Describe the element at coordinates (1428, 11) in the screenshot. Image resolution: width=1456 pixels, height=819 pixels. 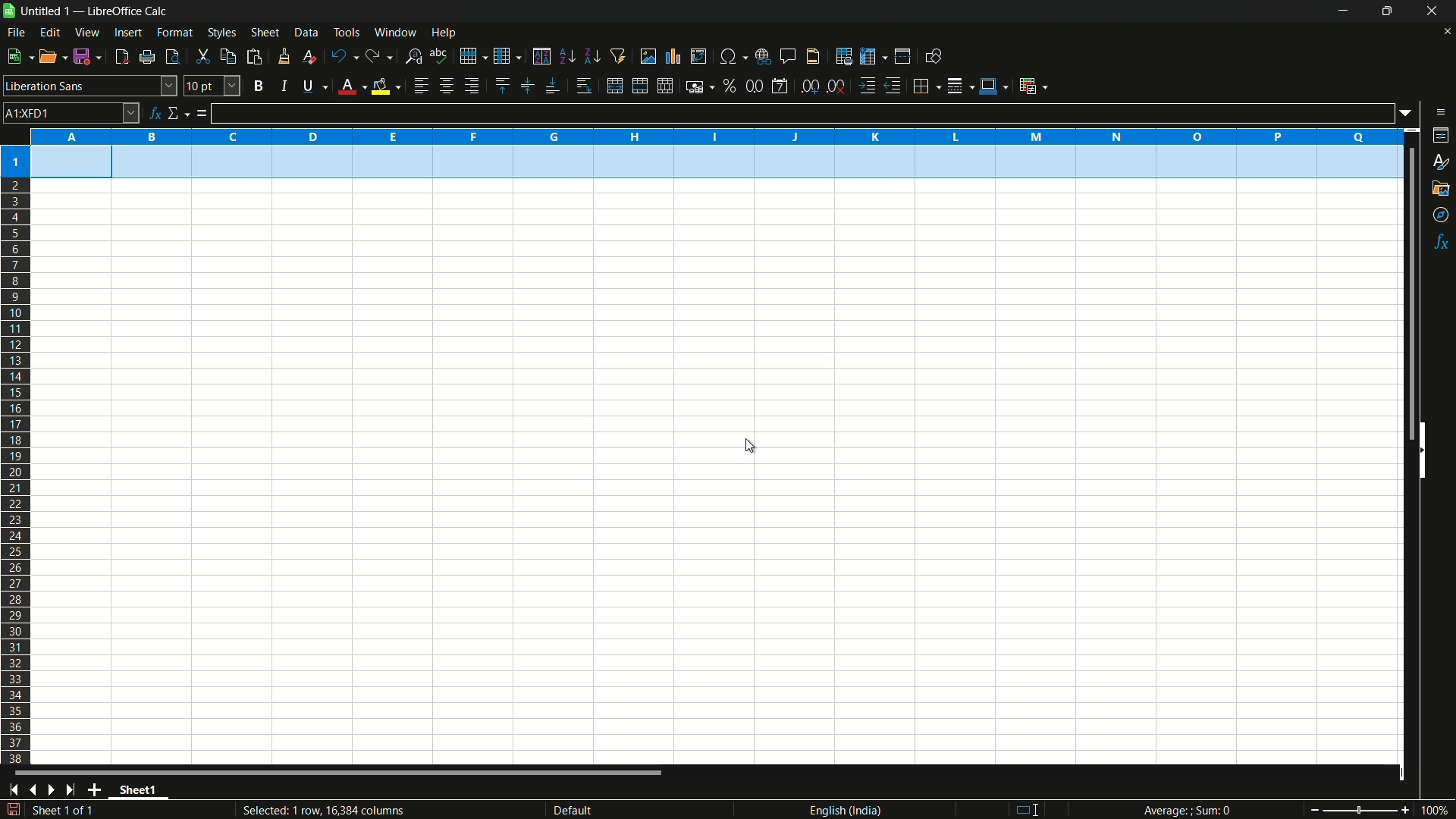
I see `close app` at that location.